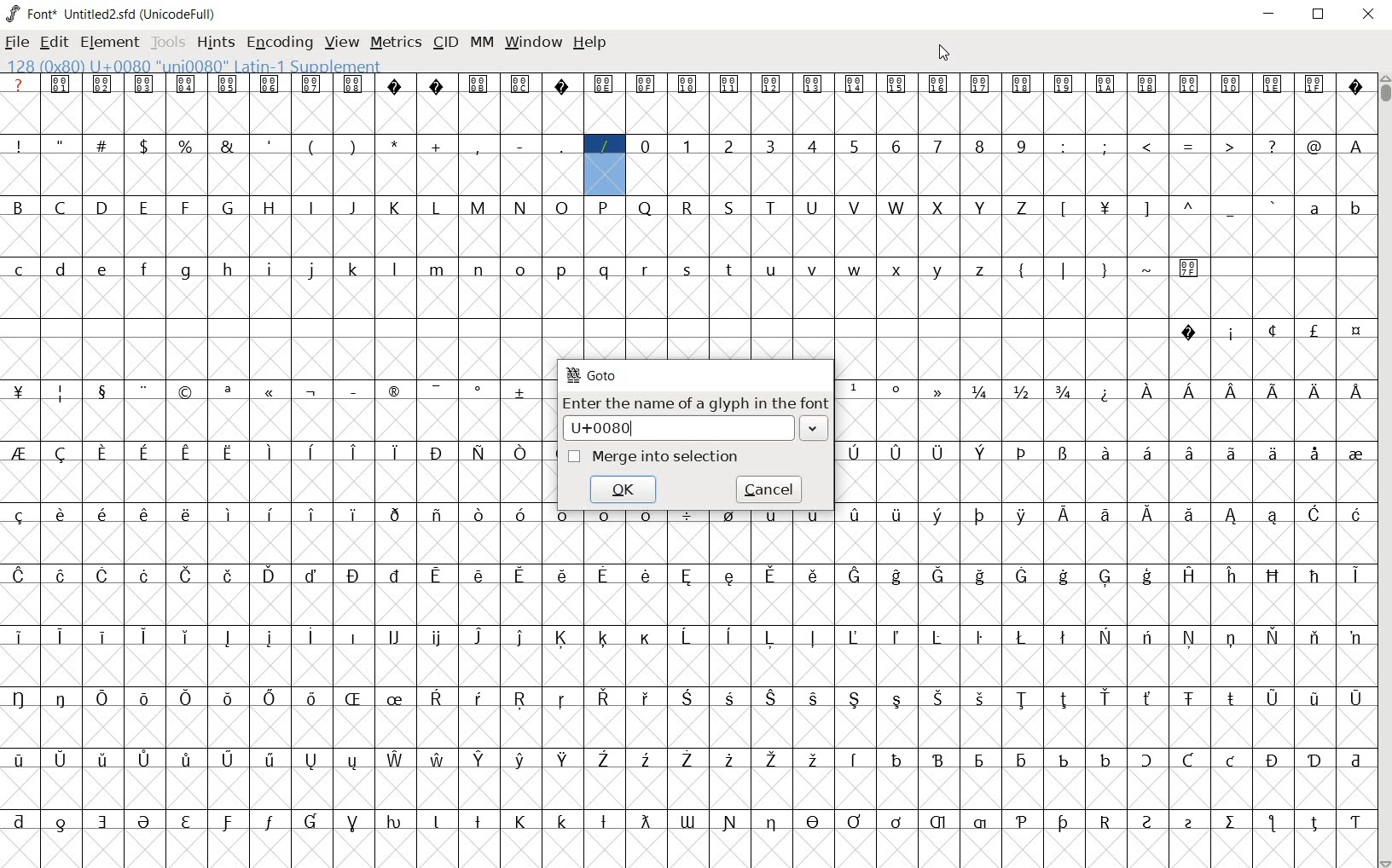  I want to click on ELEMENT, so click(111, 43).